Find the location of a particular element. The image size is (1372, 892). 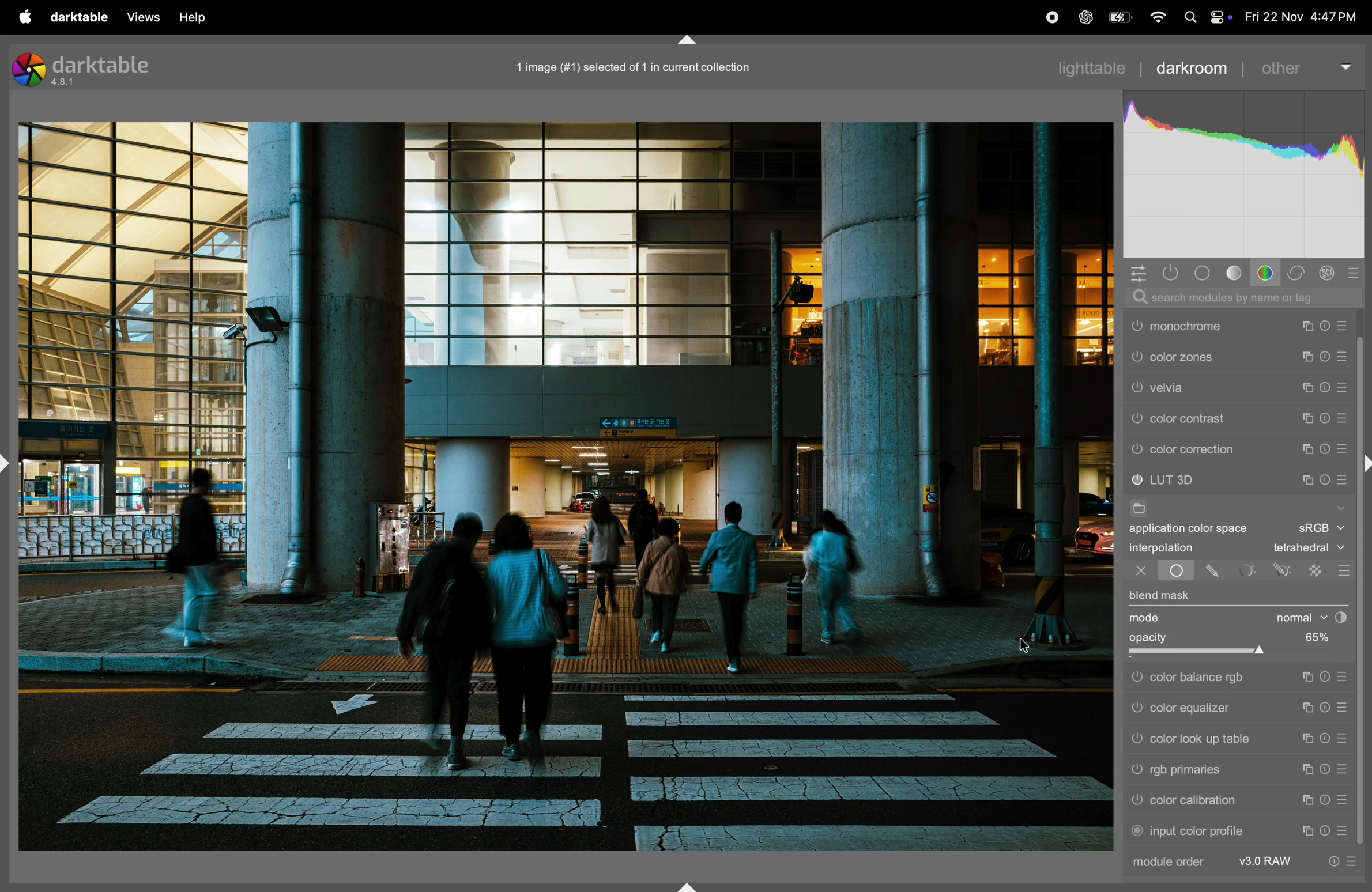

color calibration switched off is located at coordinates (1139, 802).